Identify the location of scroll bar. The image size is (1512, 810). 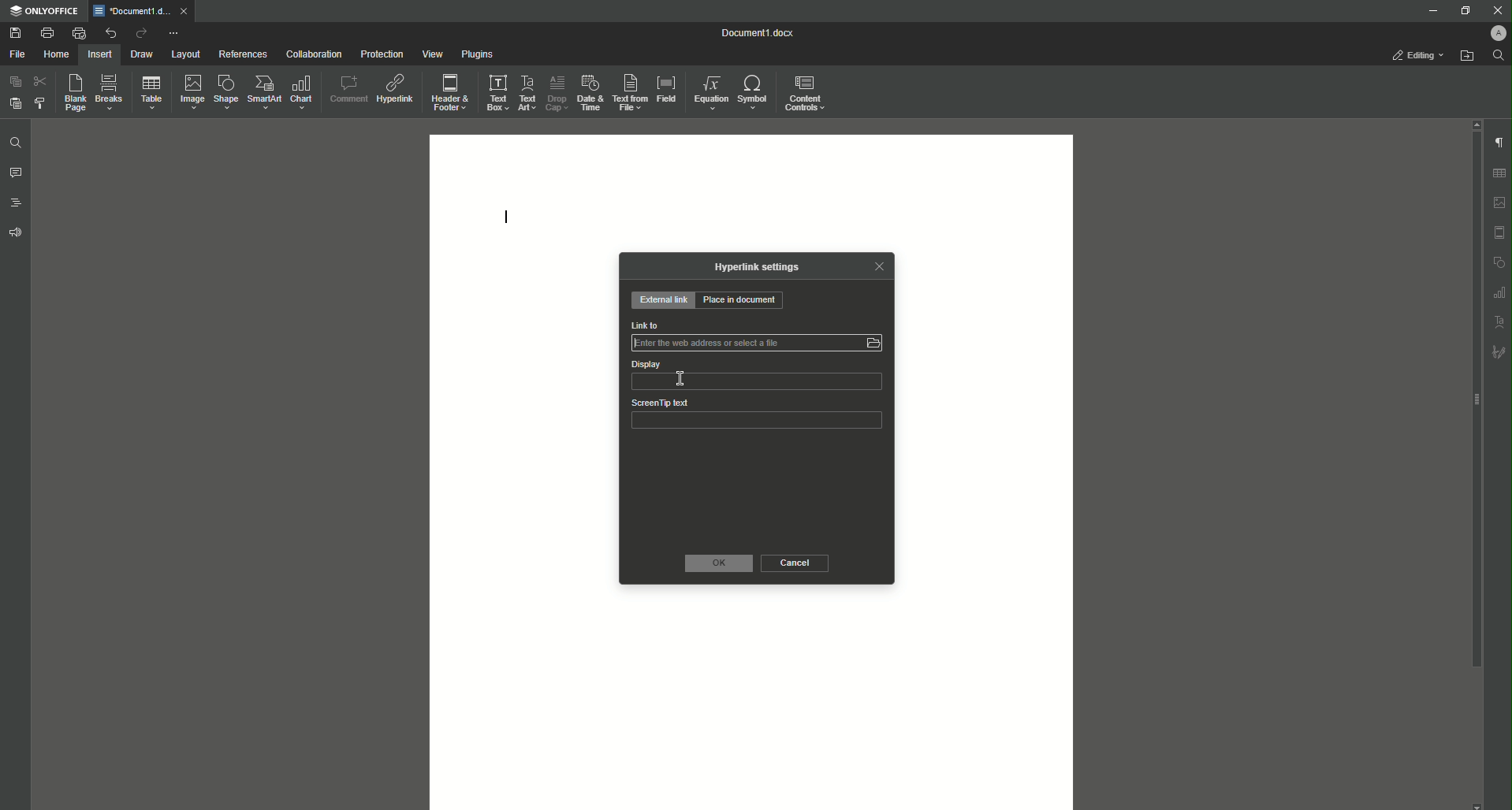
(1475, 399).